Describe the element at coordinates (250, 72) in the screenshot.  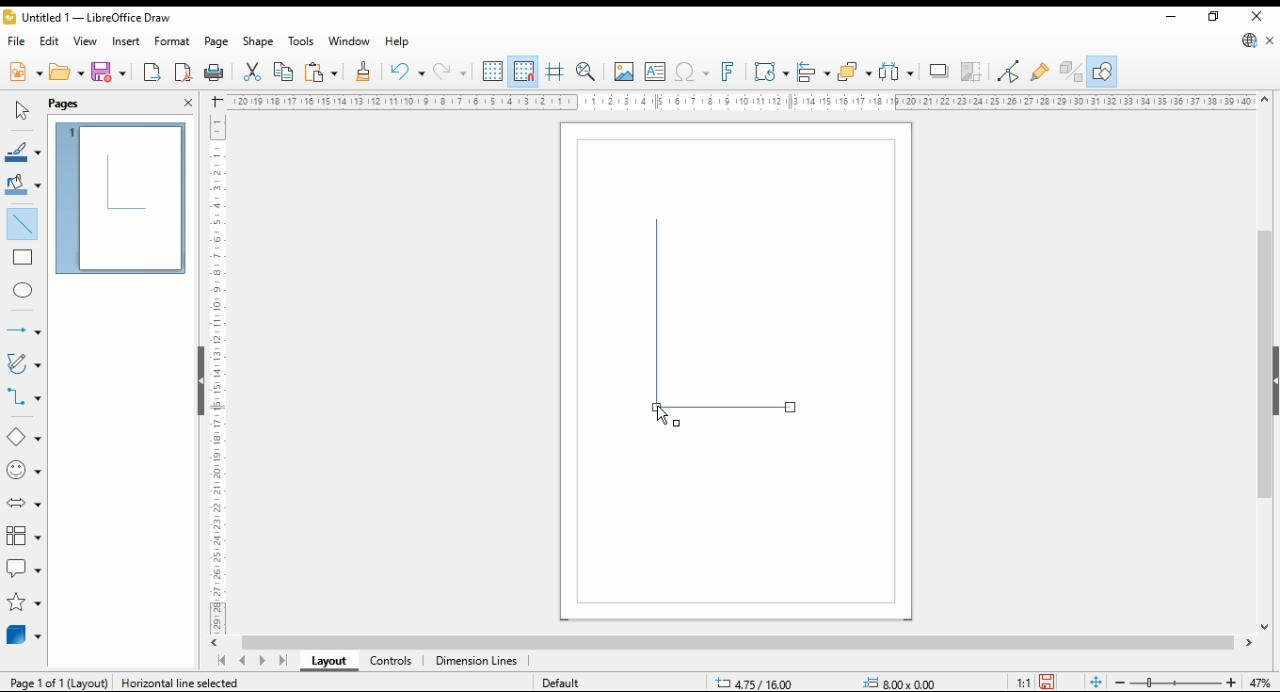
I see `cut` at that location.